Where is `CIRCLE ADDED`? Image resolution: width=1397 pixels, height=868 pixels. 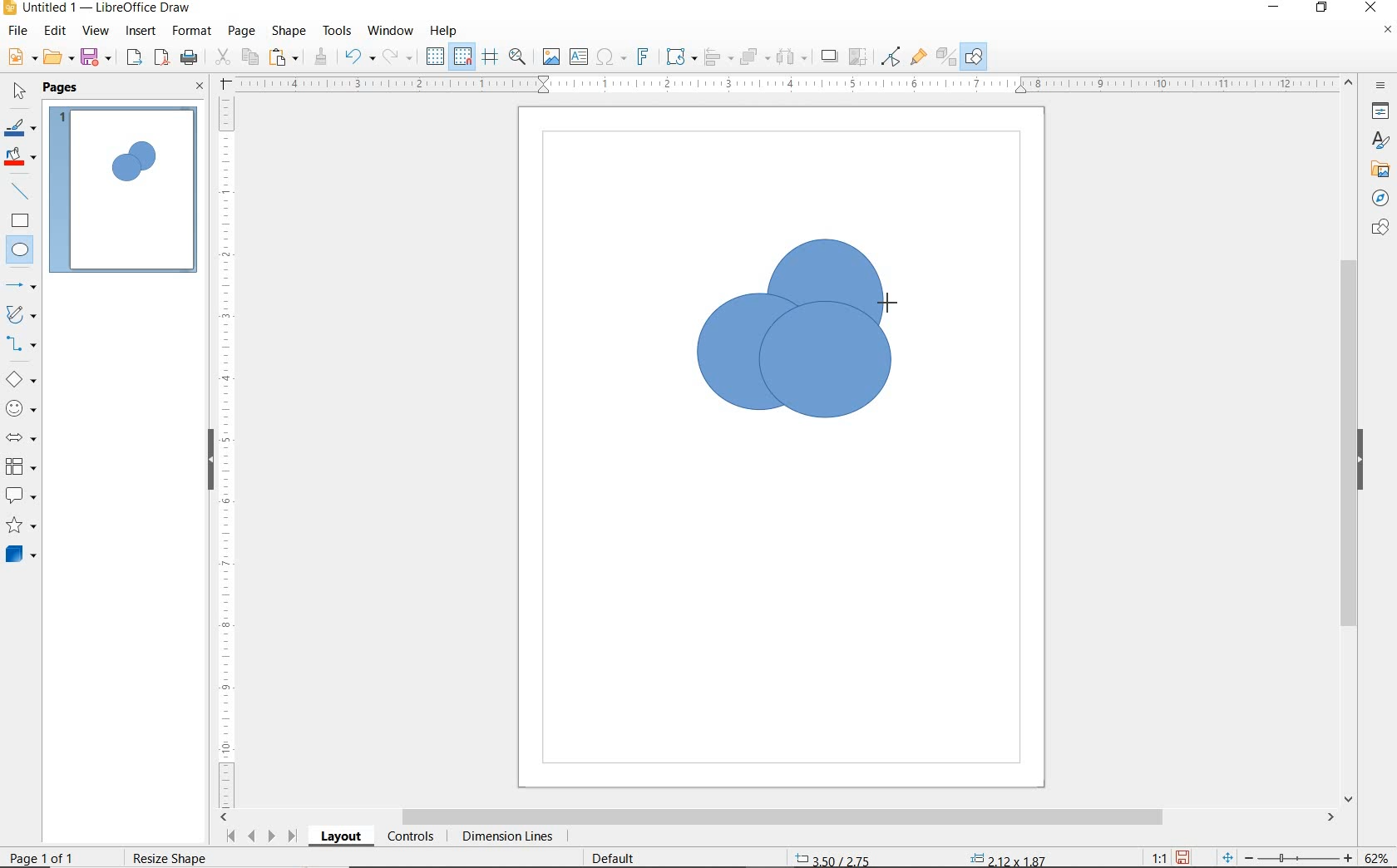
CIRCLE ADDED is located at coordinates (144, 158).